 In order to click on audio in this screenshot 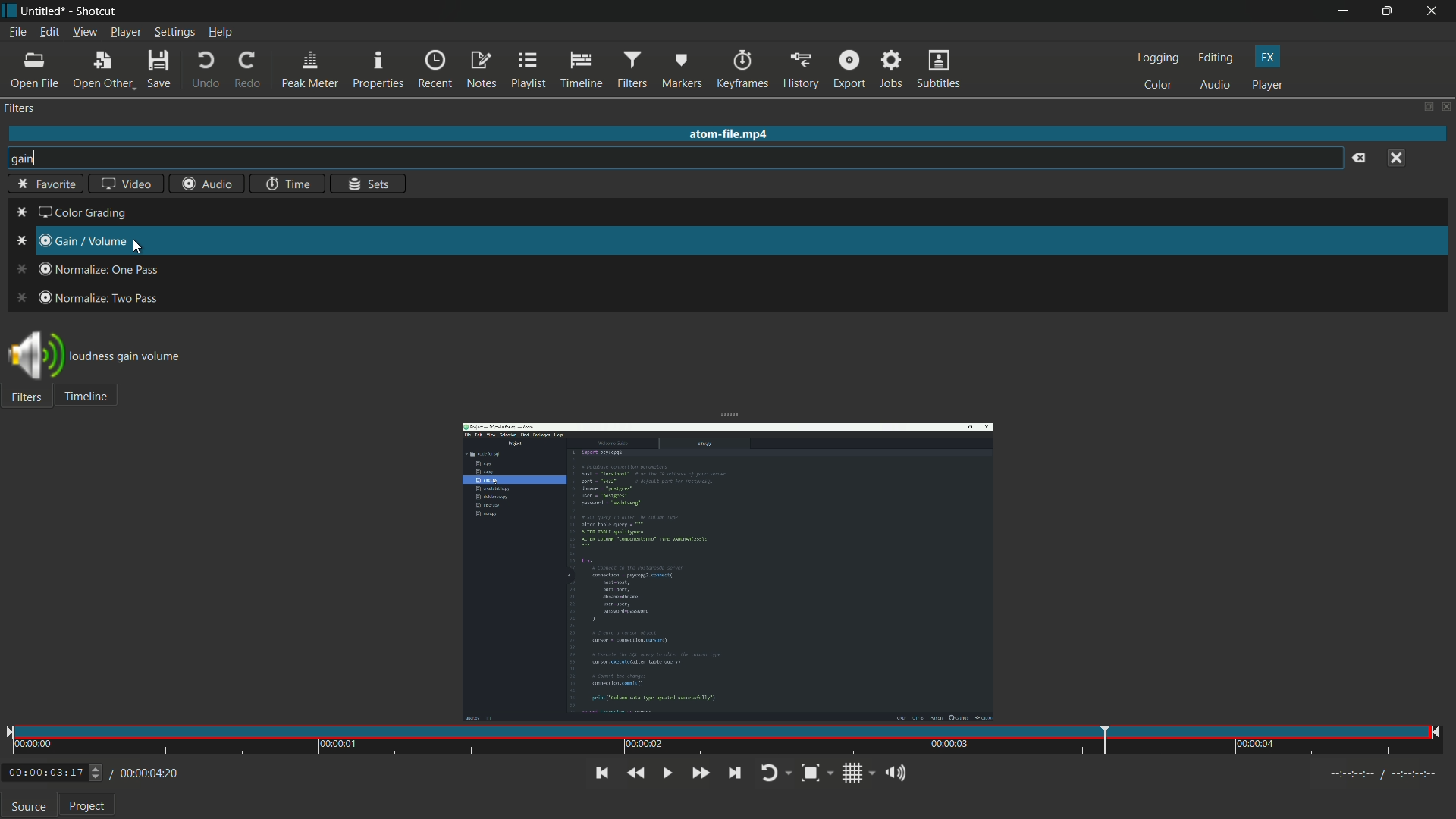, I will do `click(207, 184)`.